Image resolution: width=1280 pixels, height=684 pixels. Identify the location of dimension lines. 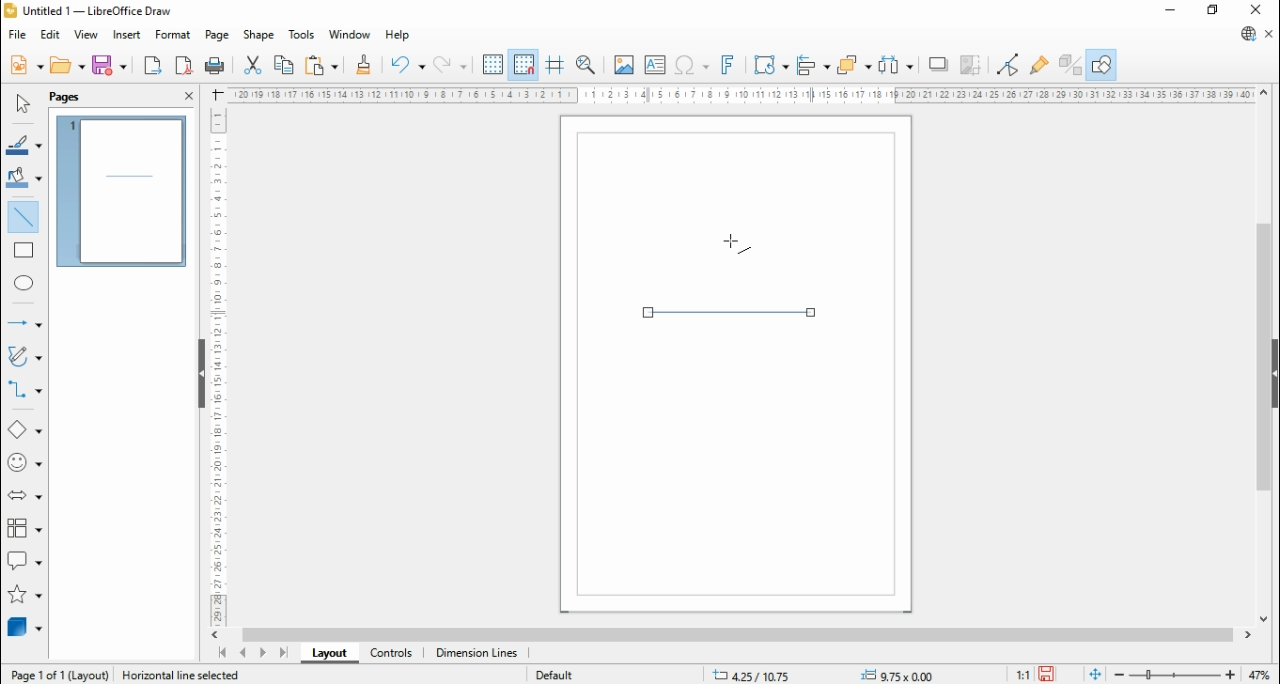
(477, 654).